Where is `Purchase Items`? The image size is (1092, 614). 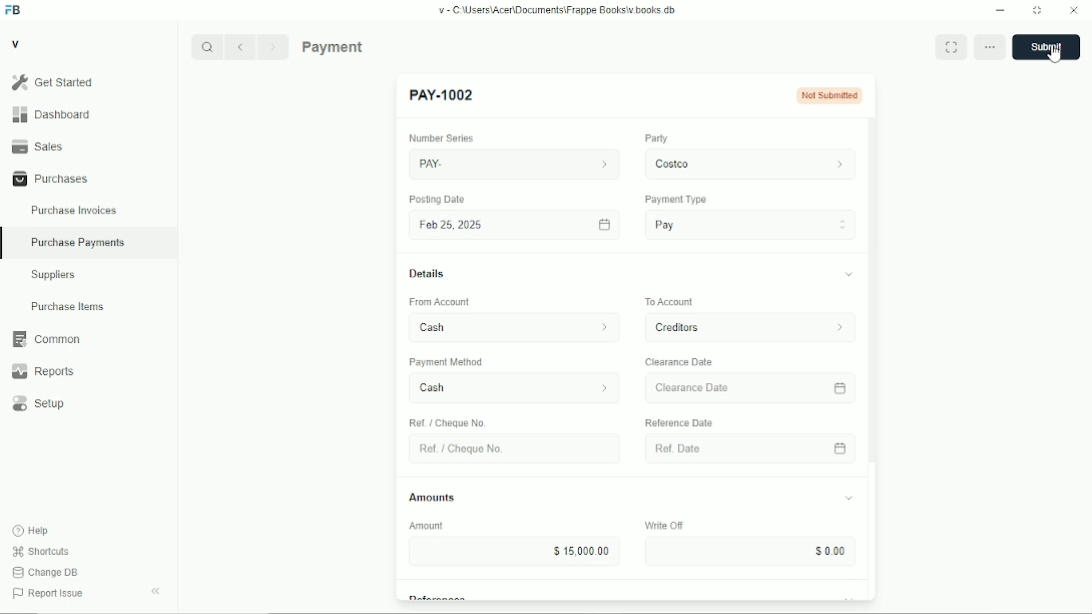 Purchase Items is located at coordinates (88, 306).